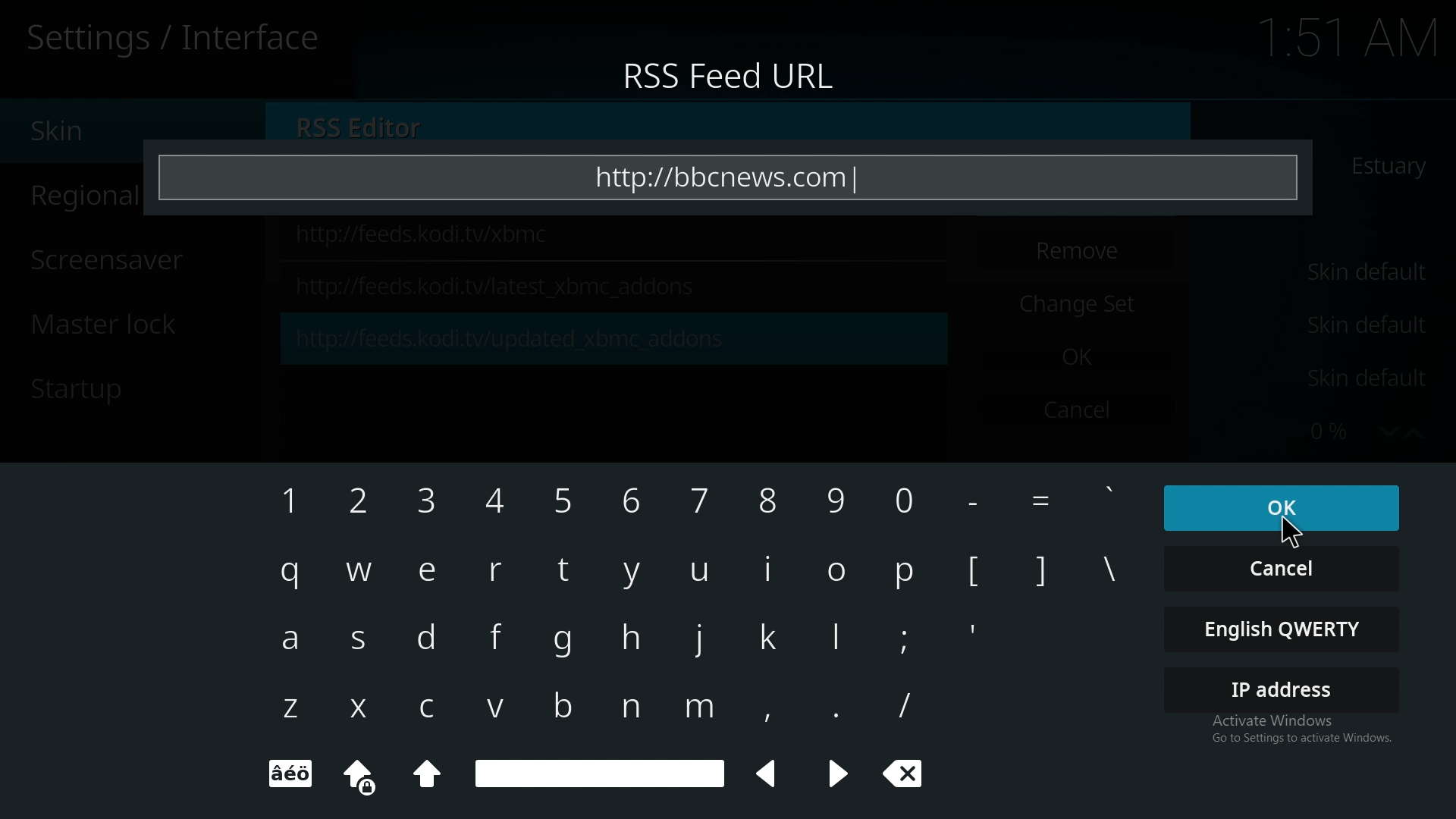 Image resolution: width=1456 pixels, height=819 pixels. Describe the element at coordinates (564, 706) in the screenshot. I see `keyboard Input` at that location.